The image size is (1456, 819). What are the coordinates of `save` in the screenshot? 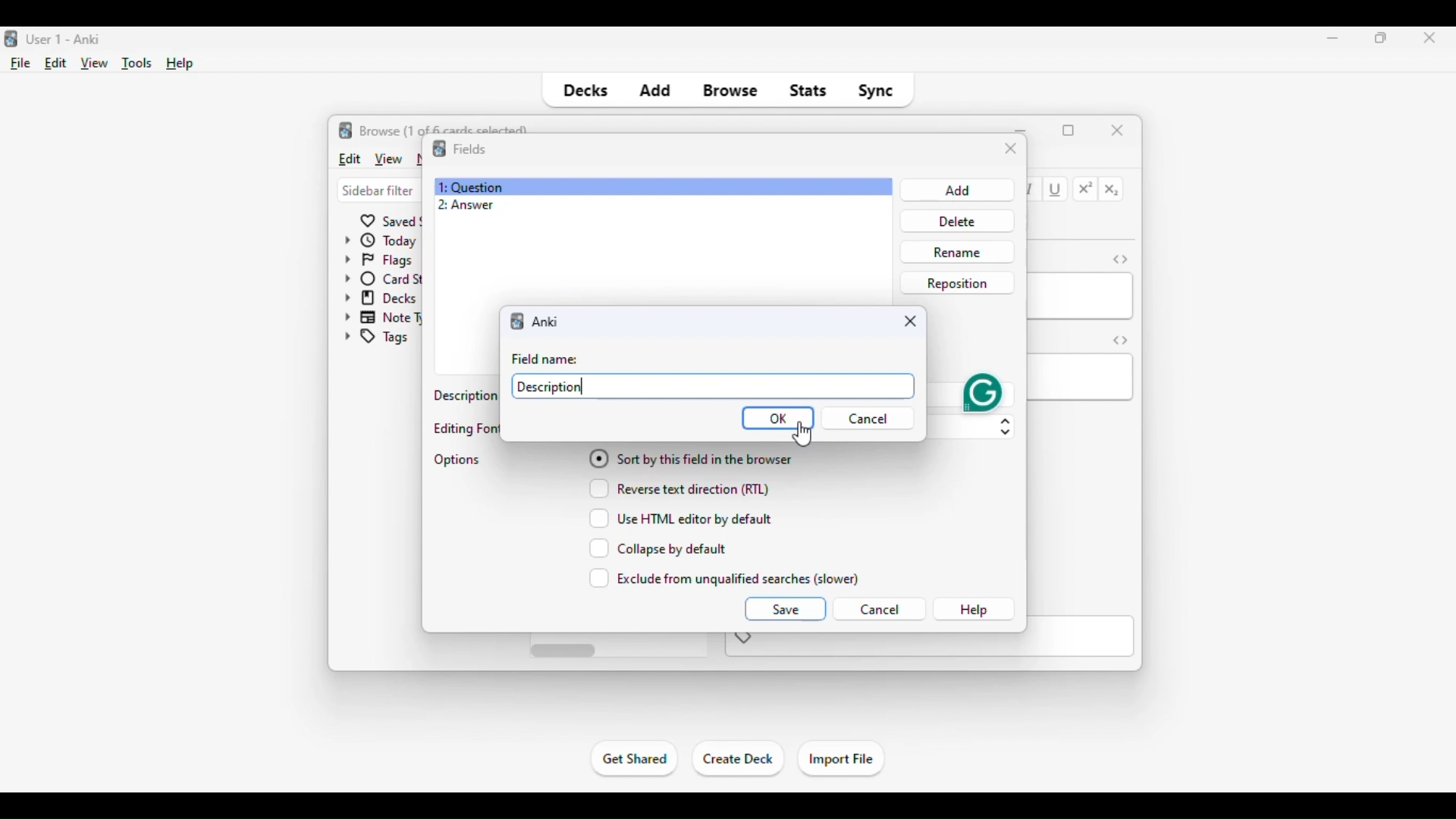 It's located at (784, 608).